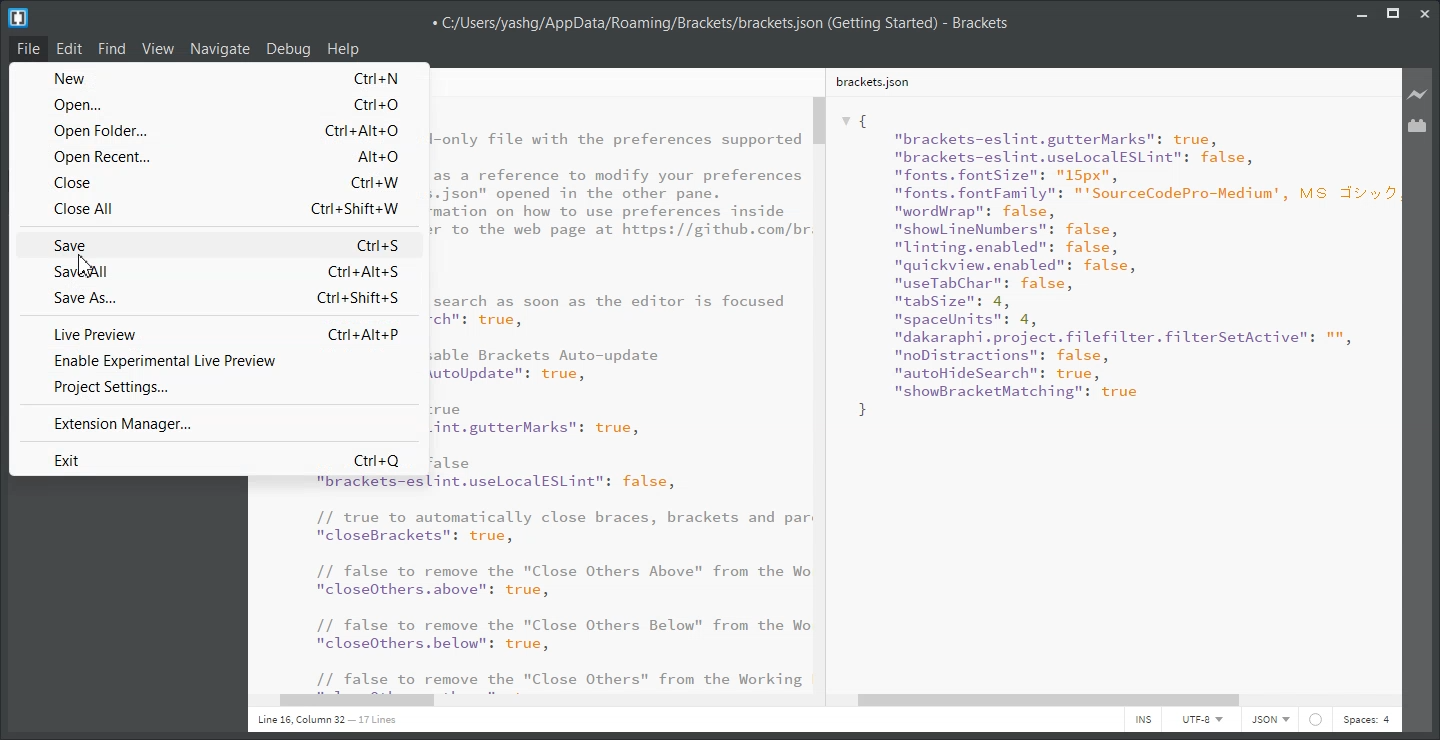 This screenshot has height=740, width=1440. I want to click on cursor, so click(91, 263).